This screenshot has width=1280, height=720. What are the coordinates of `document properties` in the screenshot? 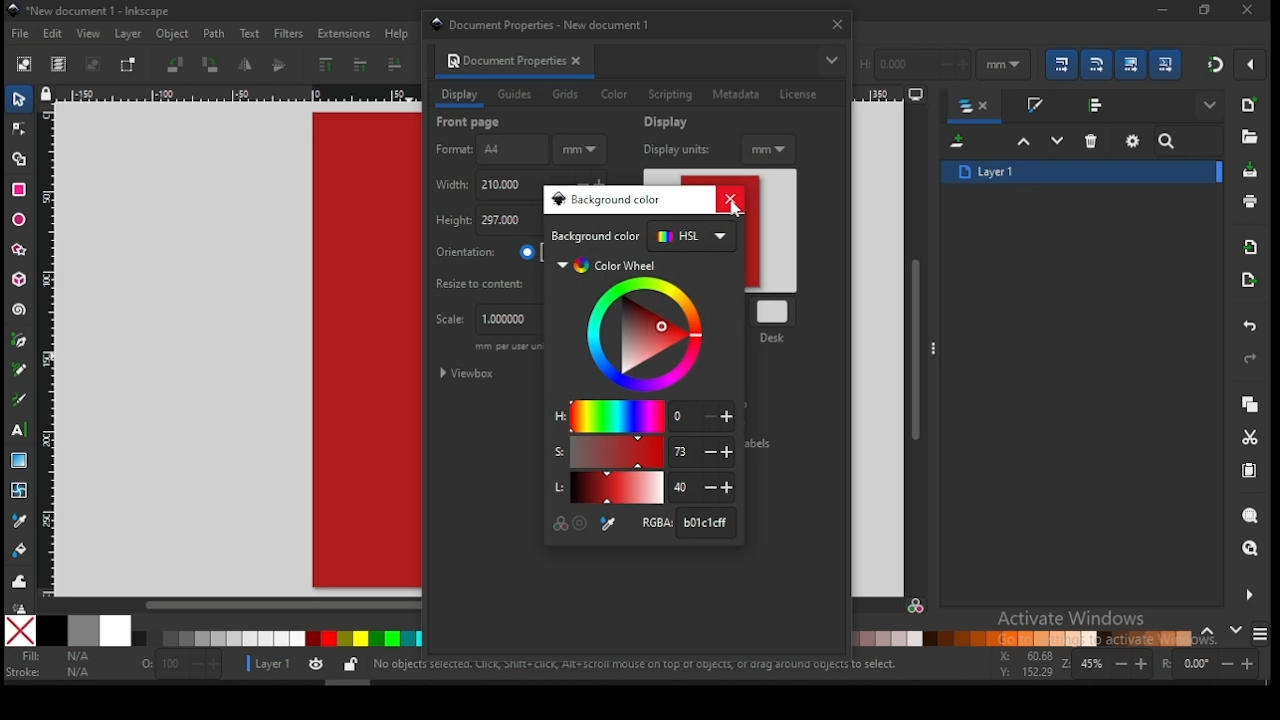 It's located at (503, 60).